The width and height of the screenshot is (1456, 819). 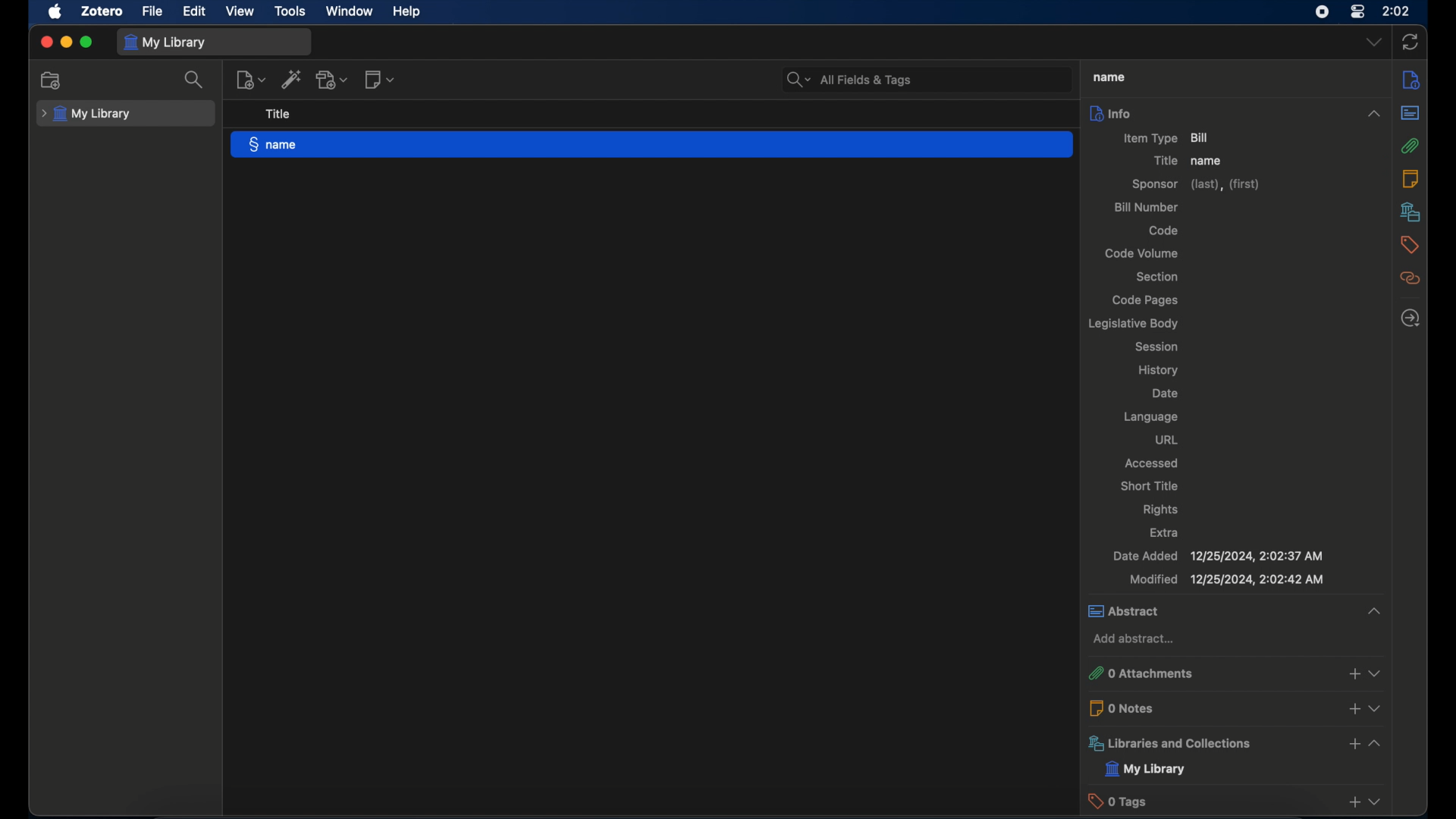 What do you see at coordinates (652, 145) in the screenshot?
I see `name` at bounding box center [652, 145].